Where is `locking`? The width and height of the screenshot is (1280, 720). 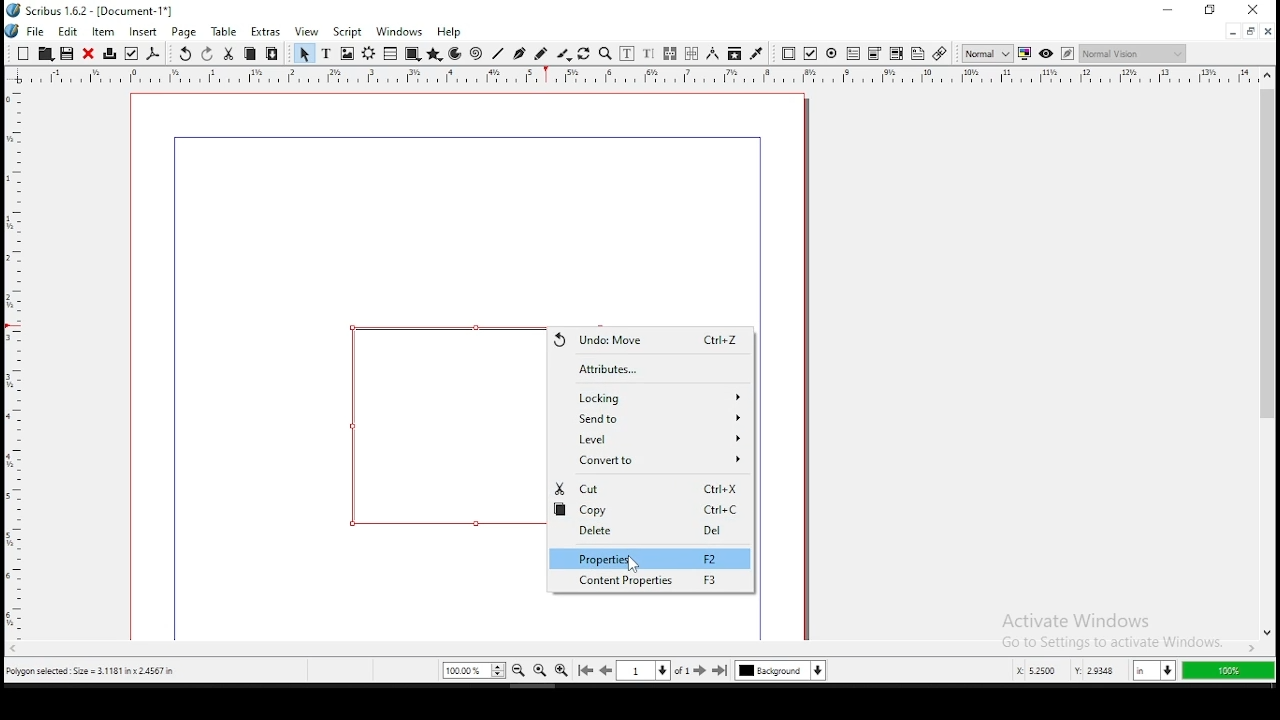 locking is located at coordinates (654, 396).